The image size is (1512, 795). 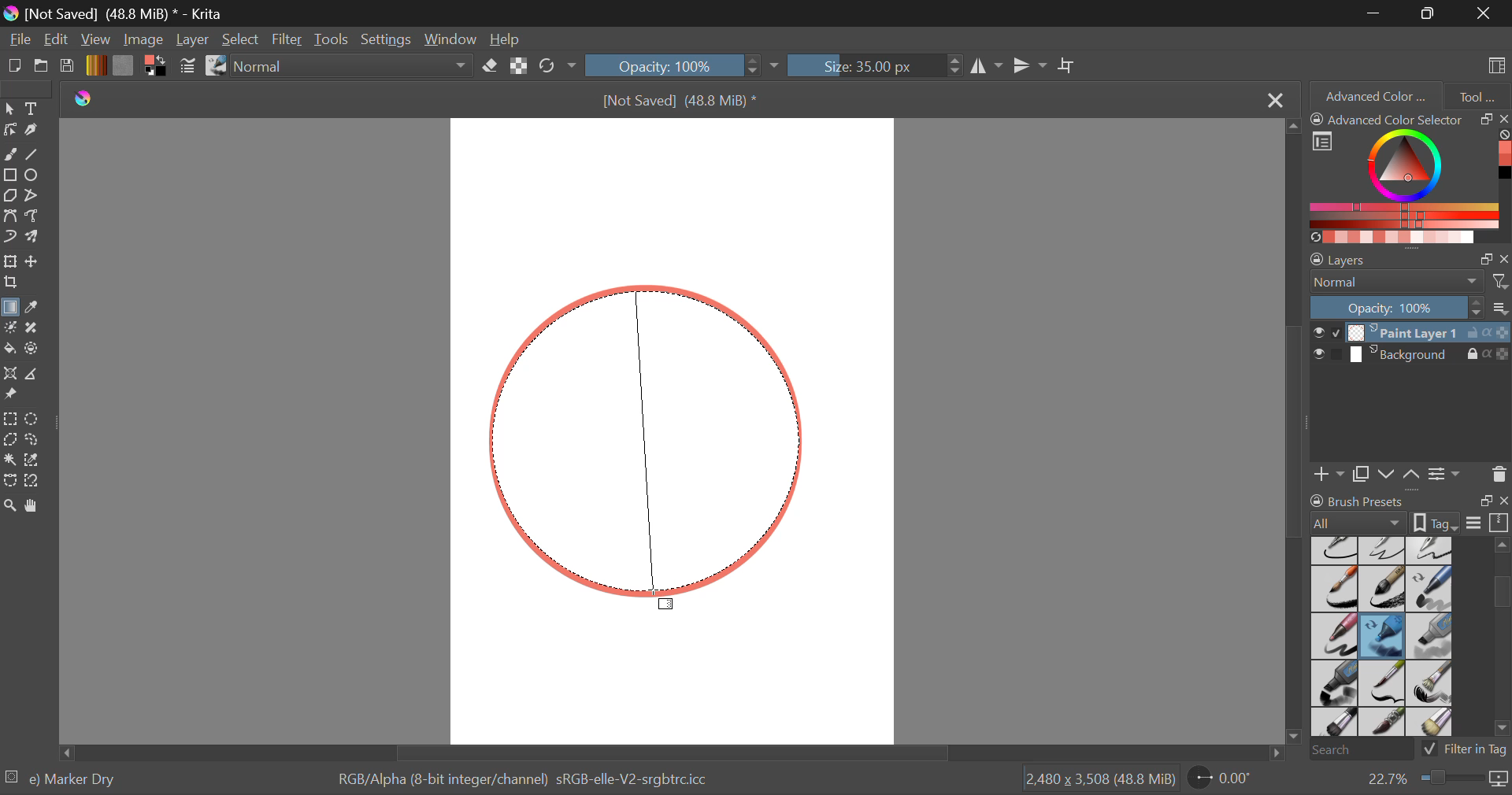 What do you see at coordinates (34, 108) in the screenshot?
I see `Text` at bounding box center [34, 108].